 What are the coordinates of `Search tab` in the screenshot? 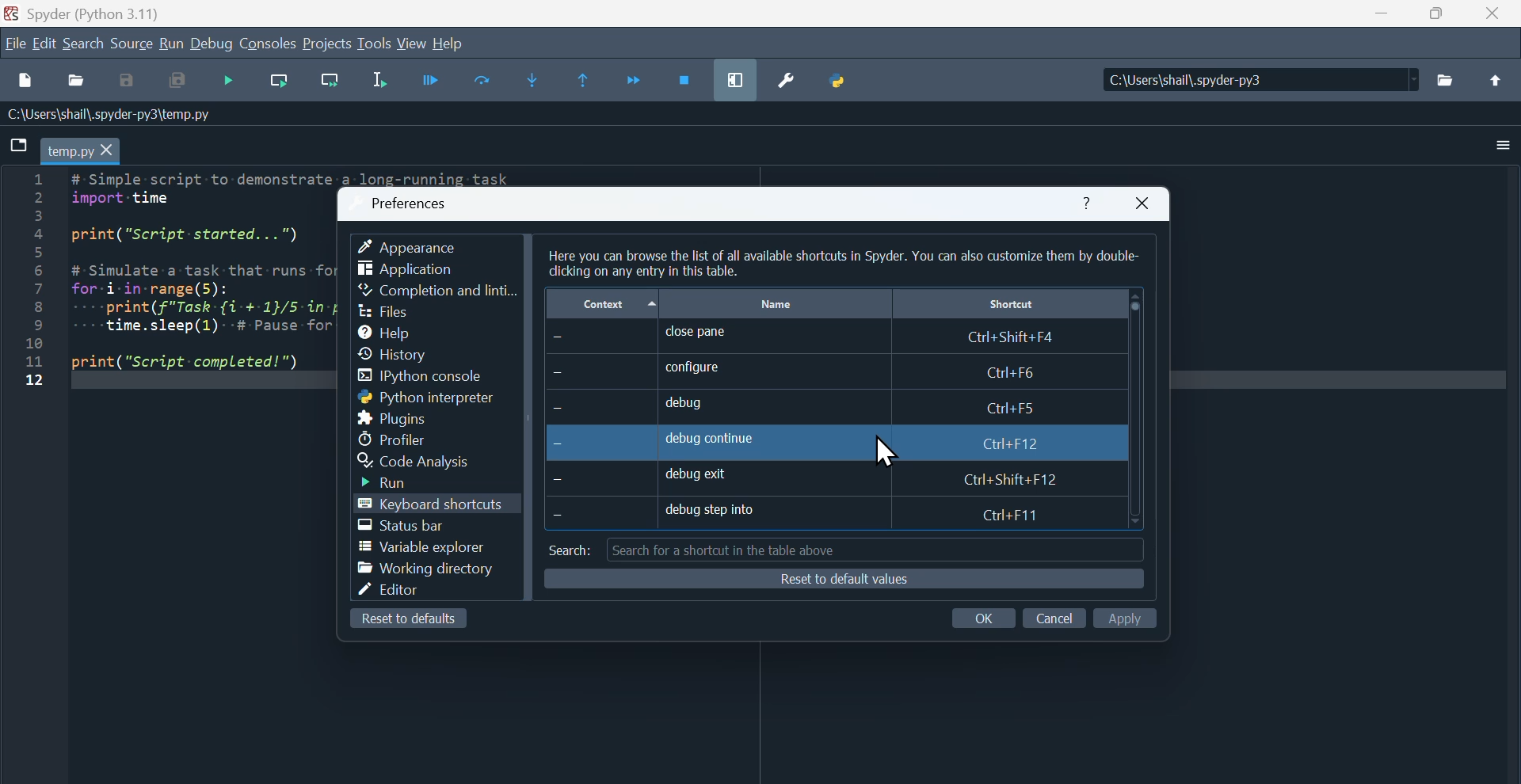 It's located at (843, 548).